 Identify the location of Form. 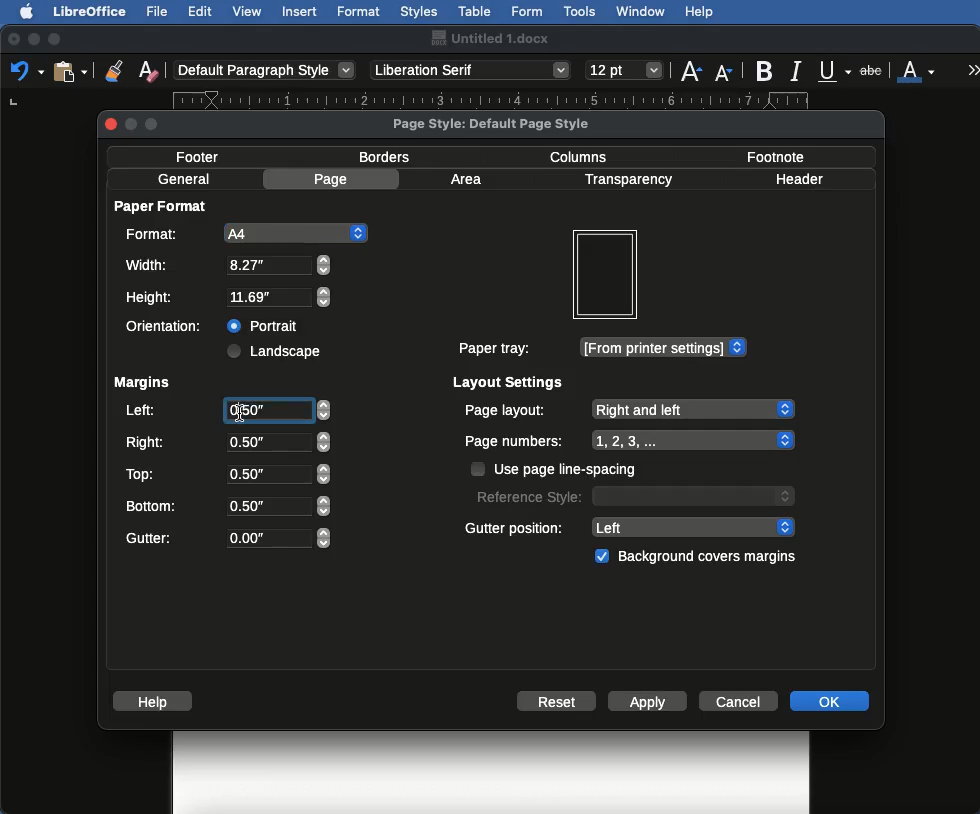
(527, 12).